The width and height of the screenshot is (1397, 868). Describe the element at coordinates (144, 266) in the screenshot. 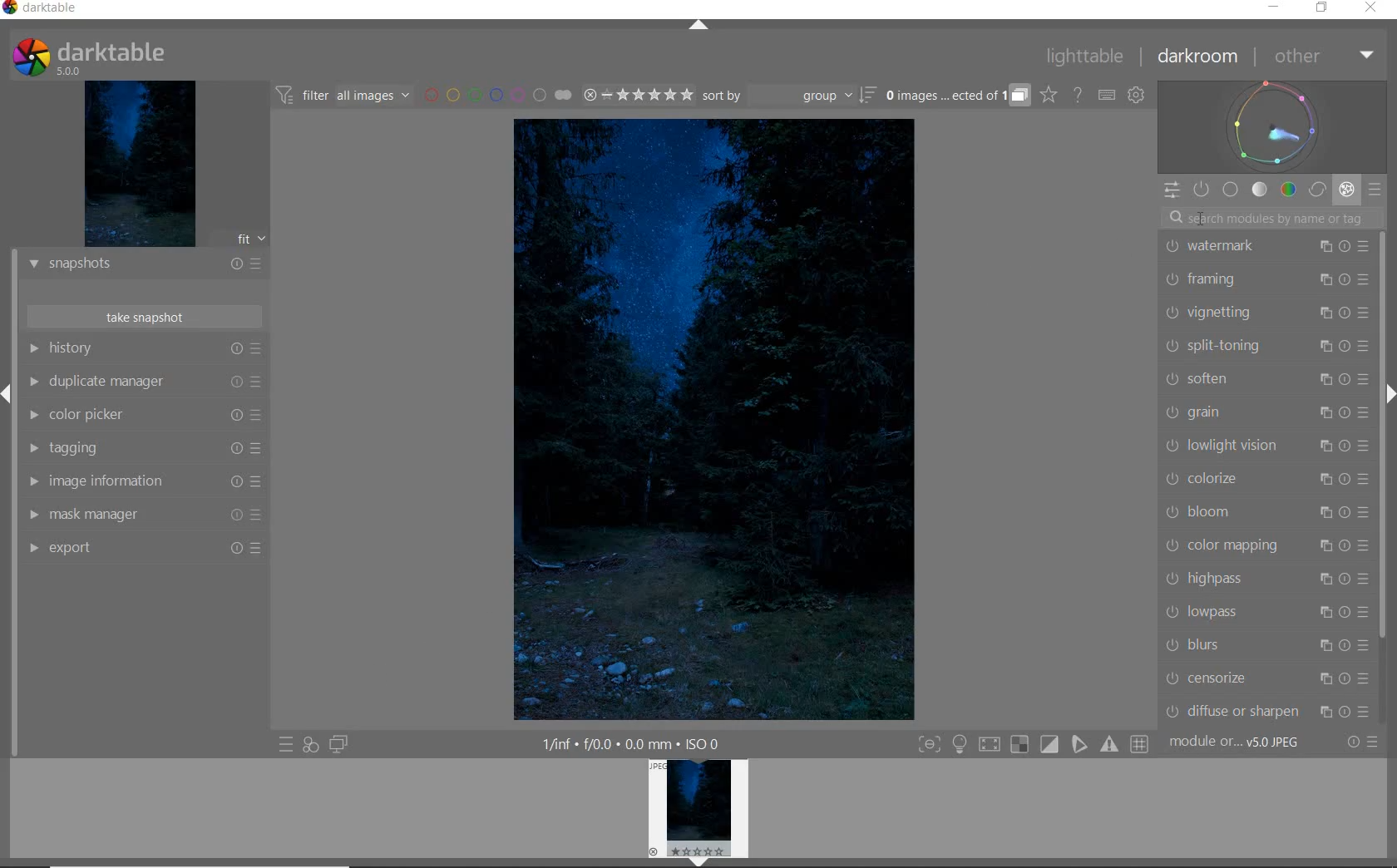

I see `SNAPSHOTS` at that location.